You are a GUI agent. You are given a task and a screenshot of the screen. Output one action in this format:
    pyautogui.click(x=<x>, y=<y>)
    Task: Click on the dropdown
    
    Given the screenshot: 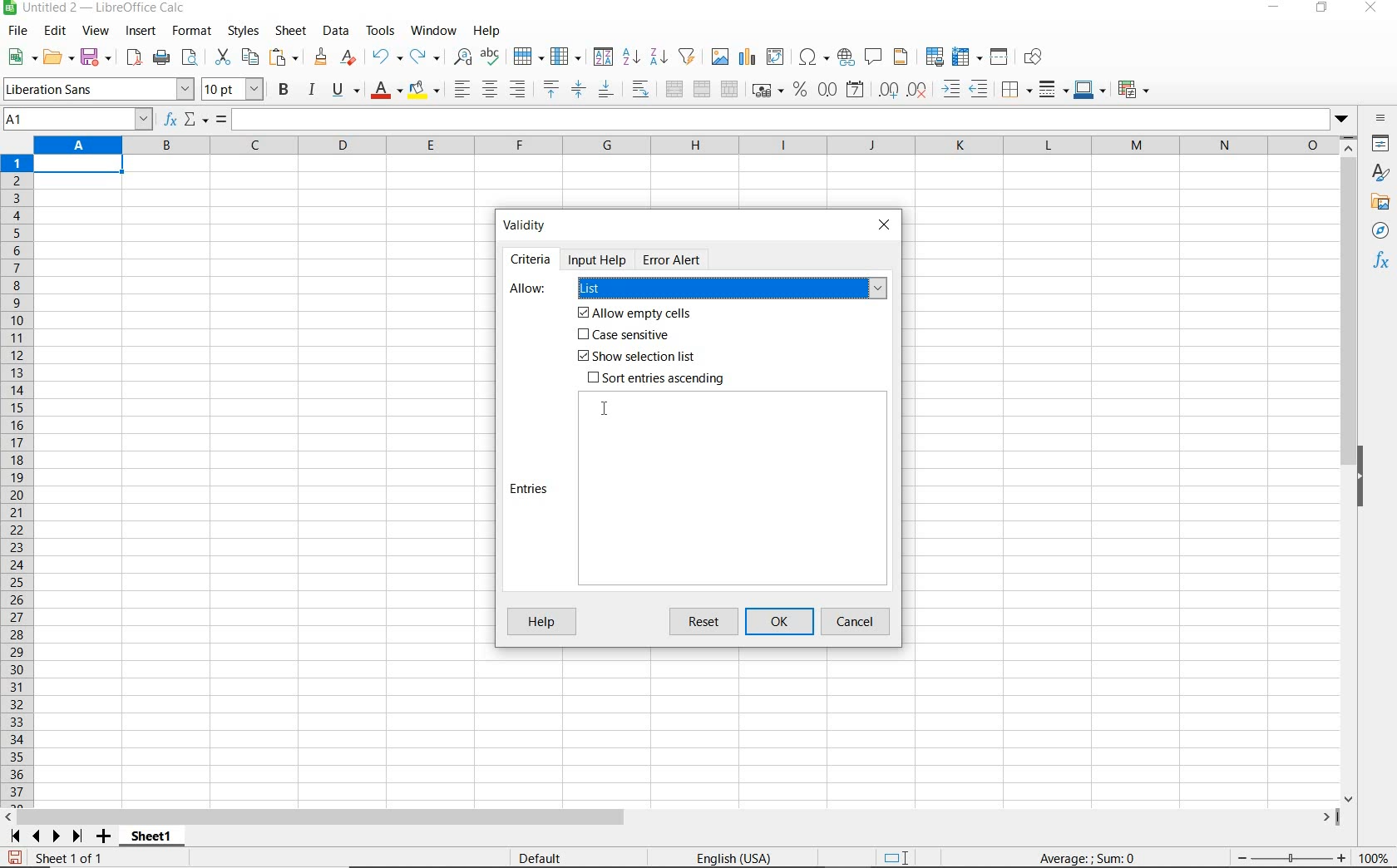 What is the action you would take?
    pyautogui.click(x=1343, y=121)
    